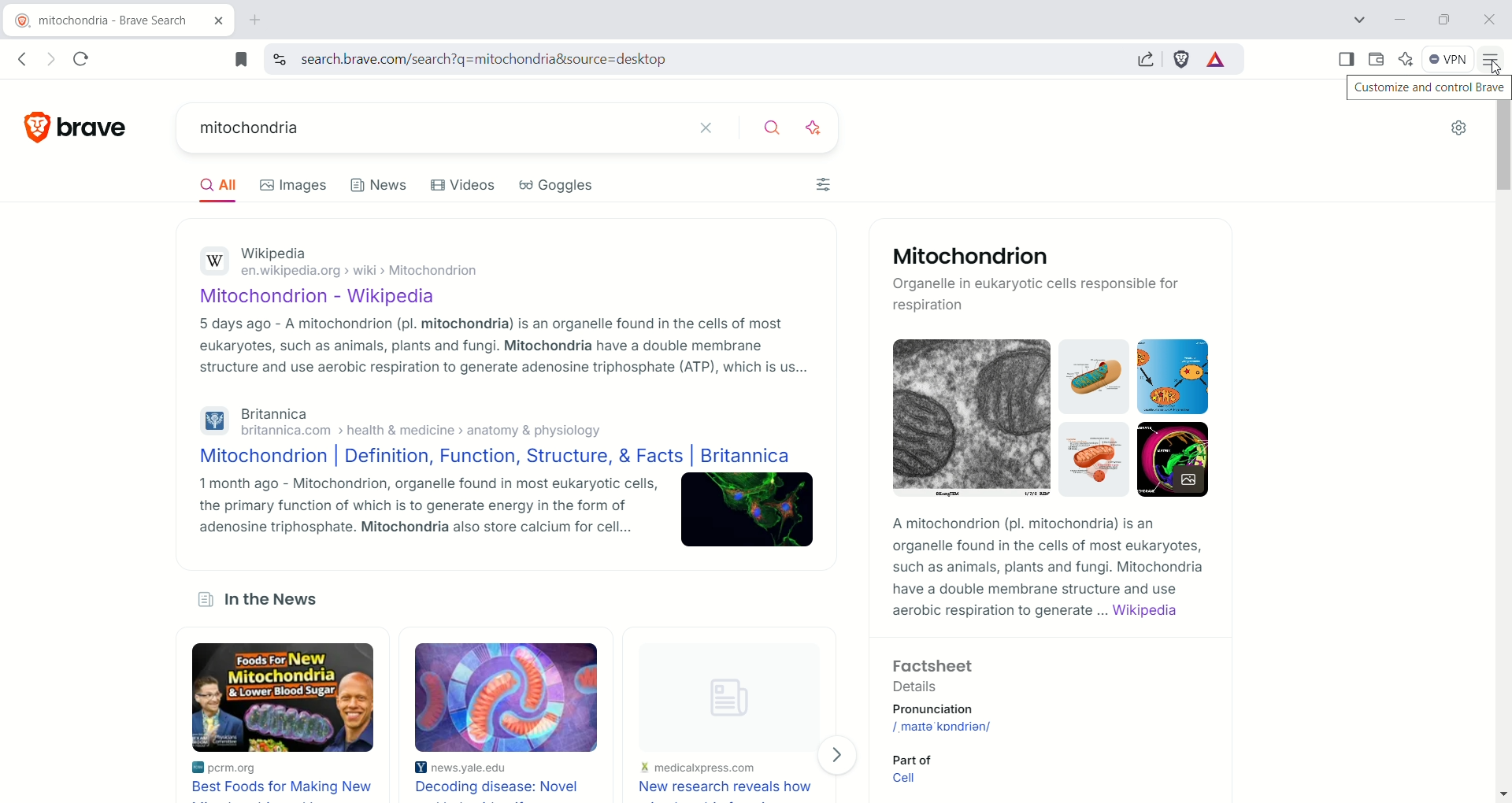 This screenshot has width=1512, height=803. Describe the element at coordinates (208, 187) in the screenshot. I see `AIl` at that location.